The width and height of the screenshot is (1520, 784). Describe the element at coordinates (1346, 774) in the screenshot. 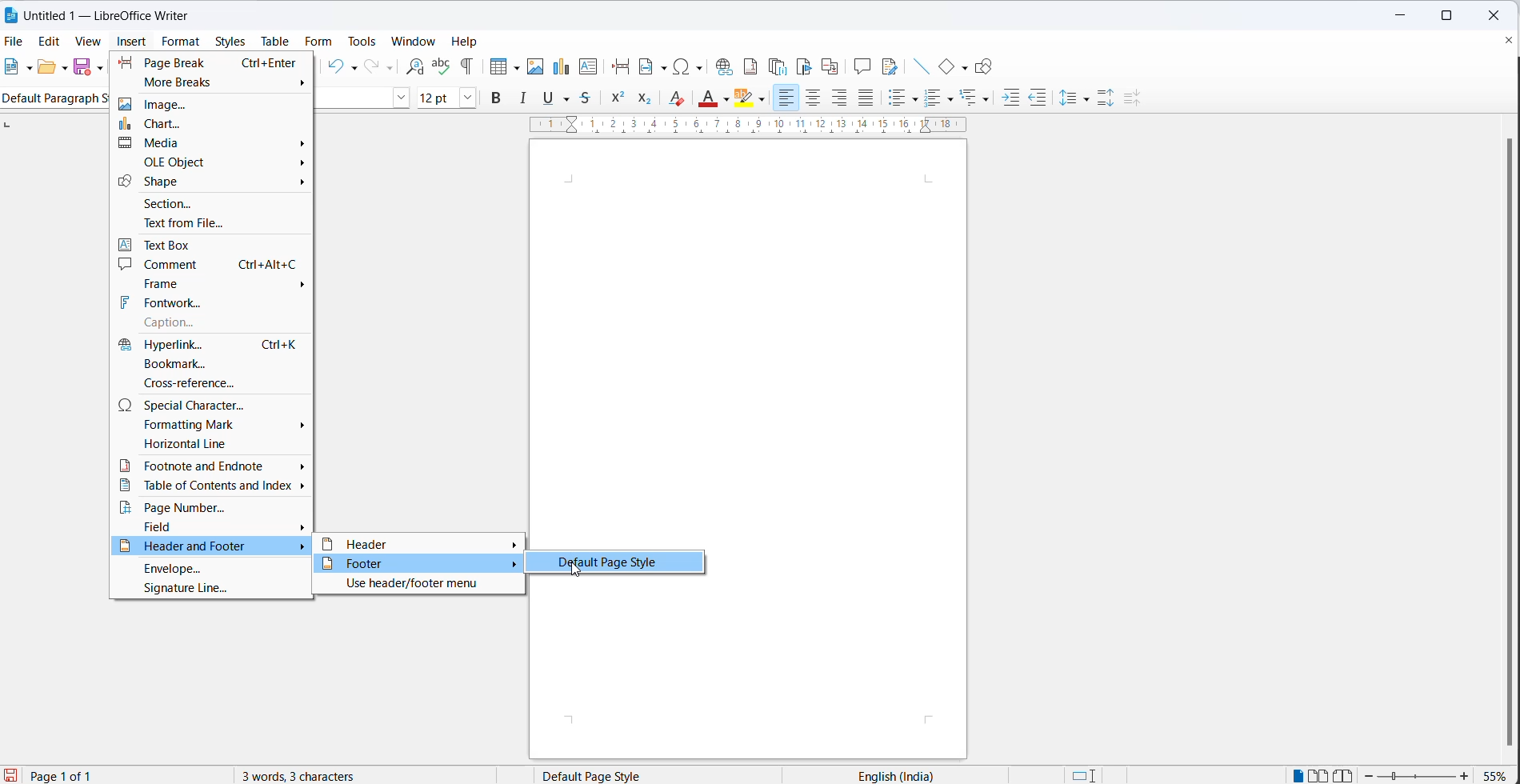

I see `book view` at that location.